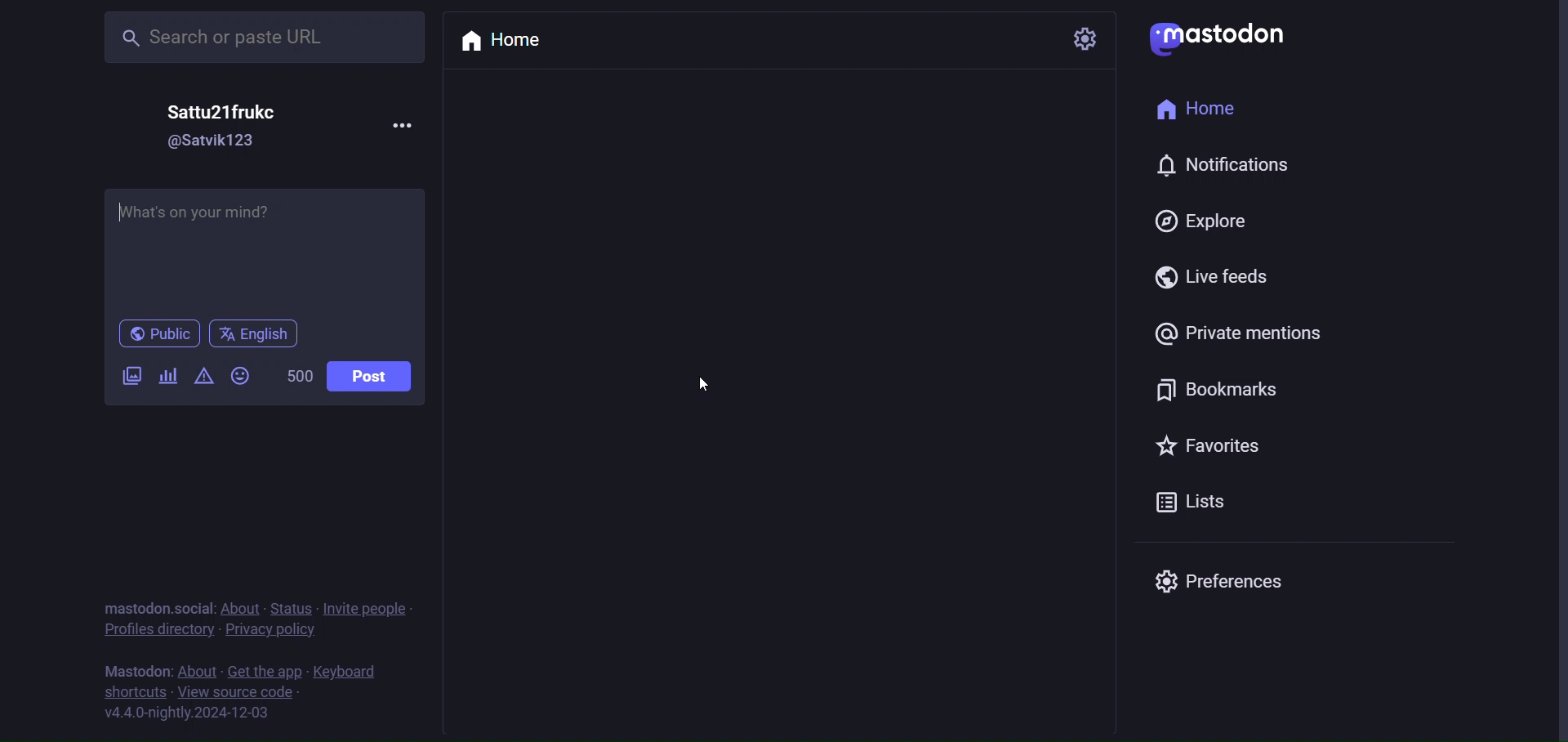  Describe the element at coordinates (1228, 165) in the screenshot. I see `notification` at that location.